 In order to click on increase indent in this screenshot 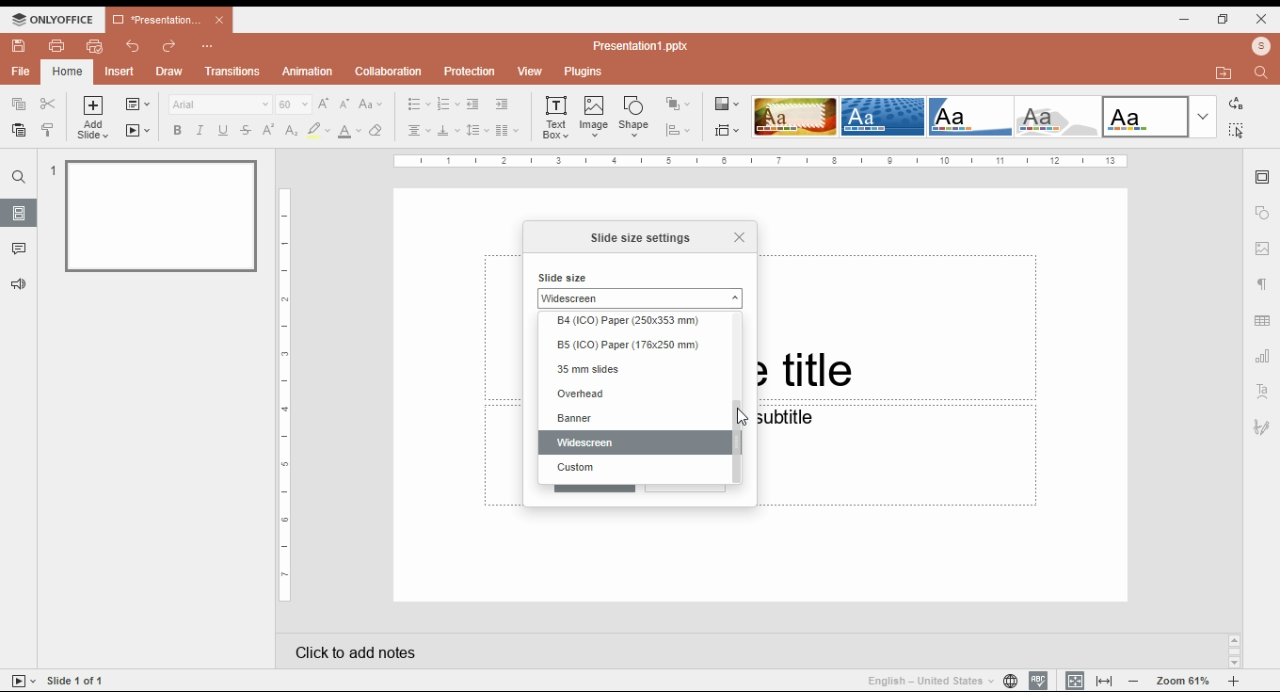, I will do `click(501, 104)`.